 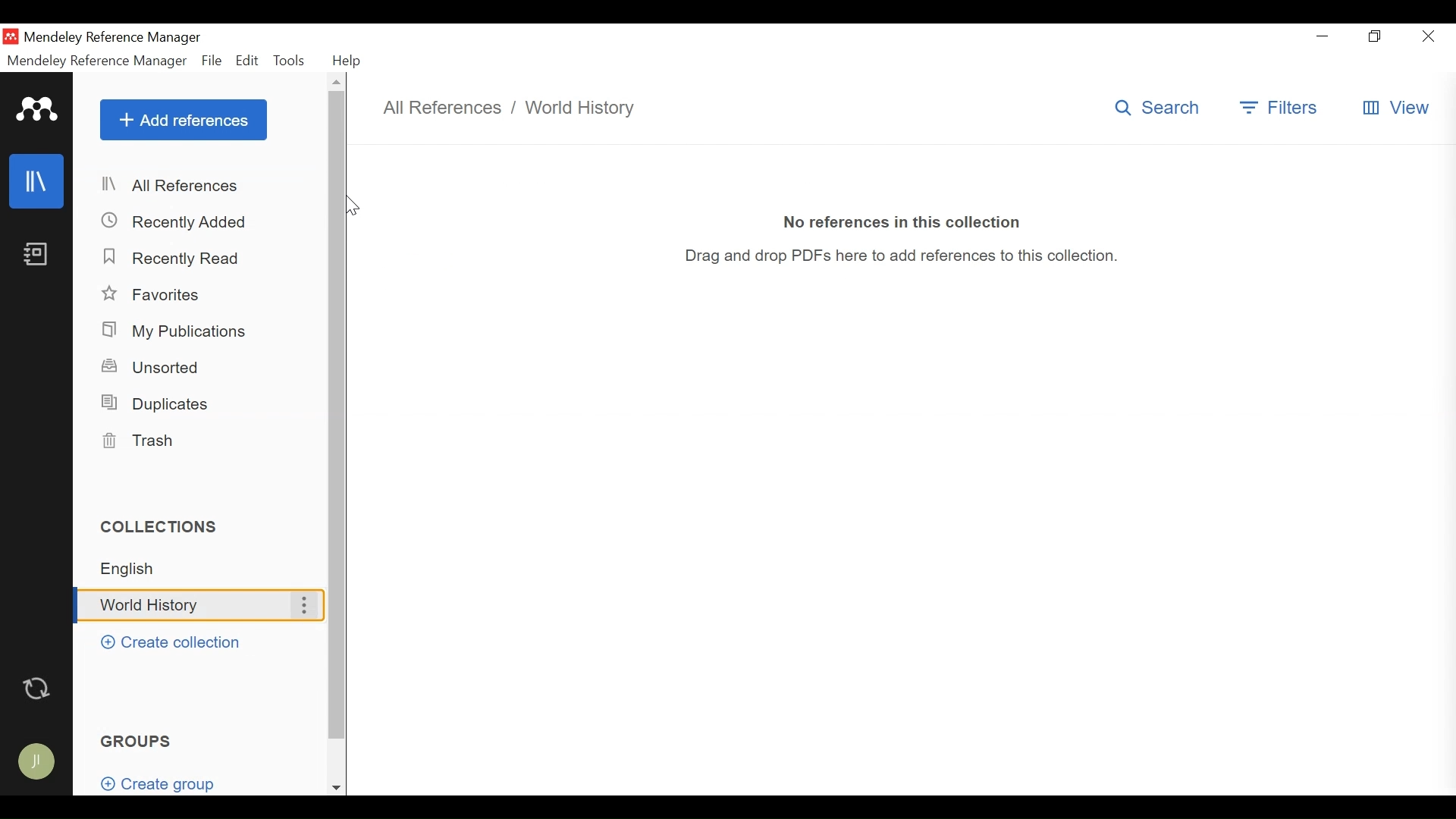 What do you see at coordinates (171, 642) in the screenshot?
I see `Create Collecion` at bounding box center [171, 642].